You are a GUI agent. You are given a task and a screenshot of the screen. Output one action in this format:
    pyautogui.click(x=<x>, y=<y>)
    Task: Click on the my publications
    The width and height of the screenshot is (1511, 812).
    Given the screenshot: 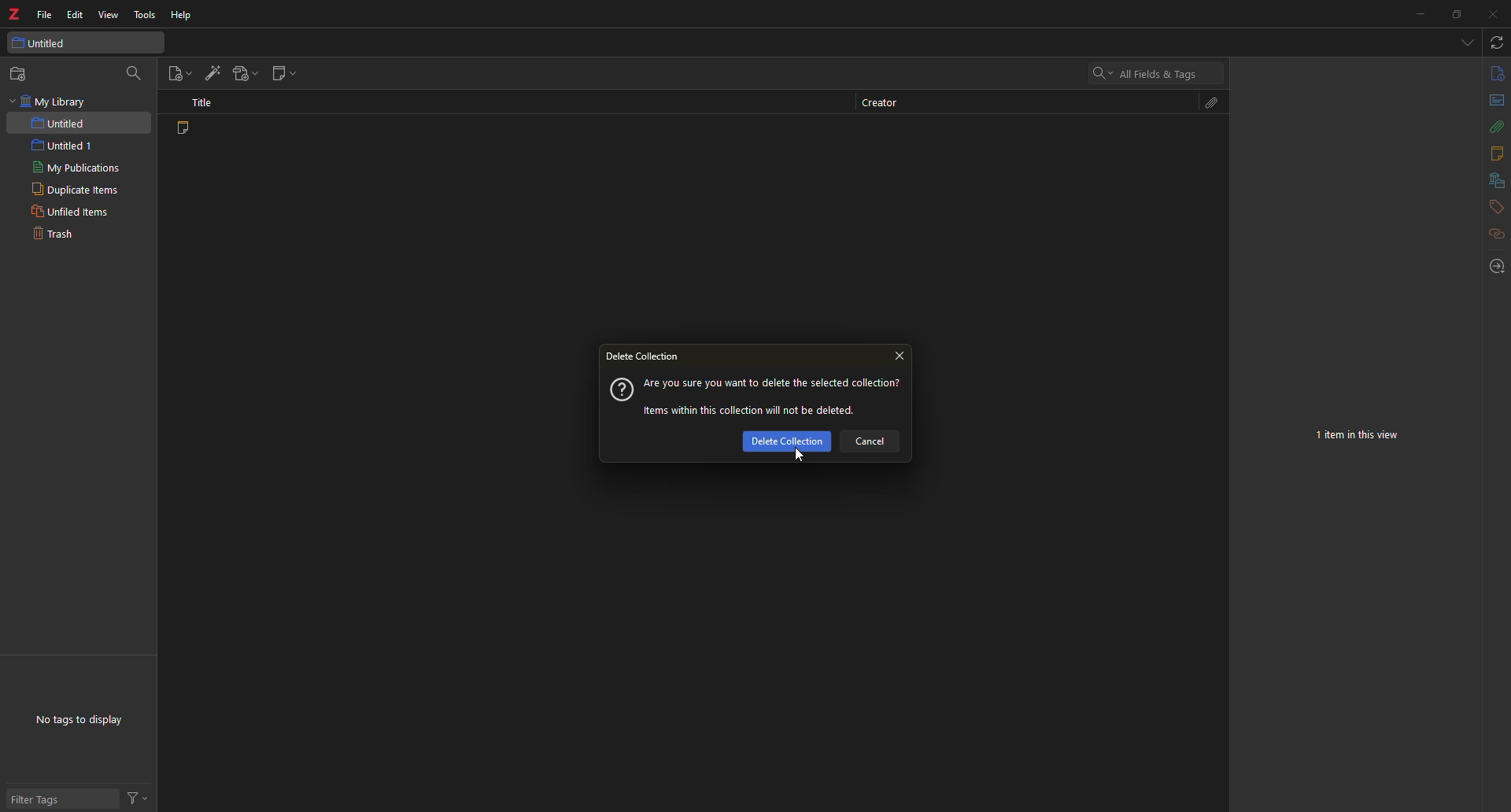 What is the action you would take?
    pyautogui.click(x=79, y=168)
    